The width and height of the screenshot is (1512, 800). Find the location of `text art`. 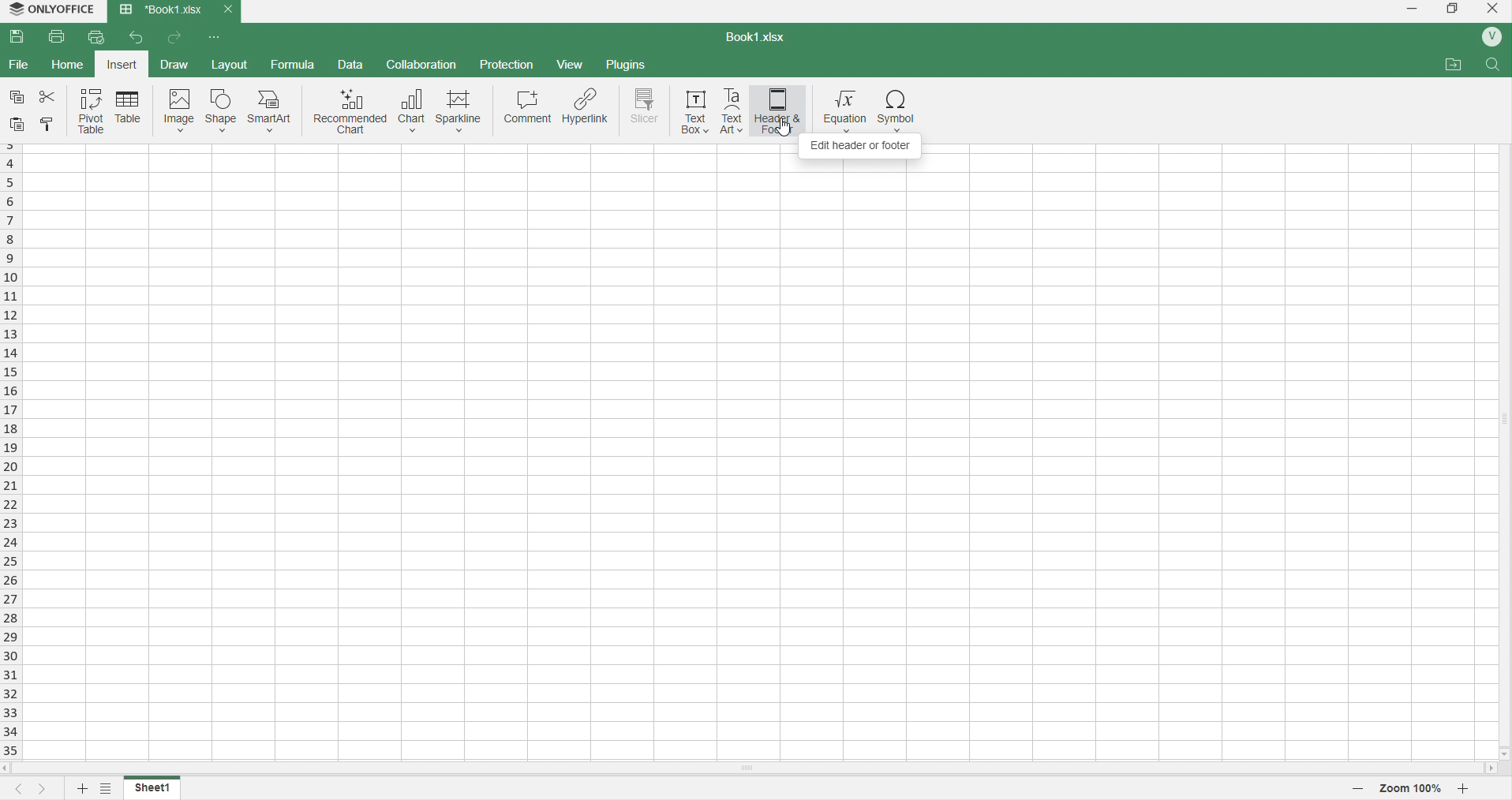

text art is located at coordinates (732, 111).